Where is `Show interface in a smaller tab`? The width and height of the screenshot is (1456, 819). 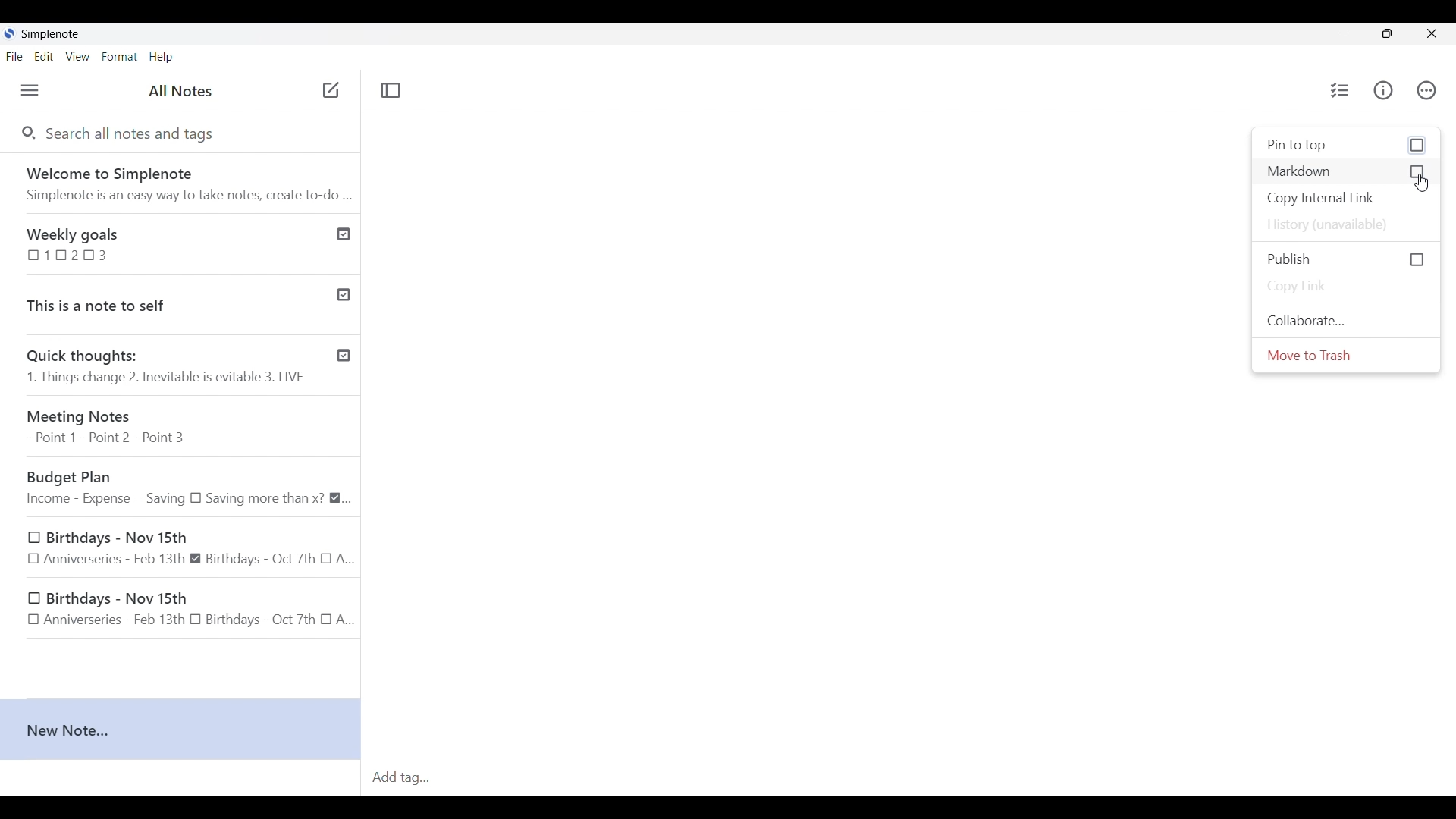
Show interface in a smaller tab is located at coordinates (1388, 33).